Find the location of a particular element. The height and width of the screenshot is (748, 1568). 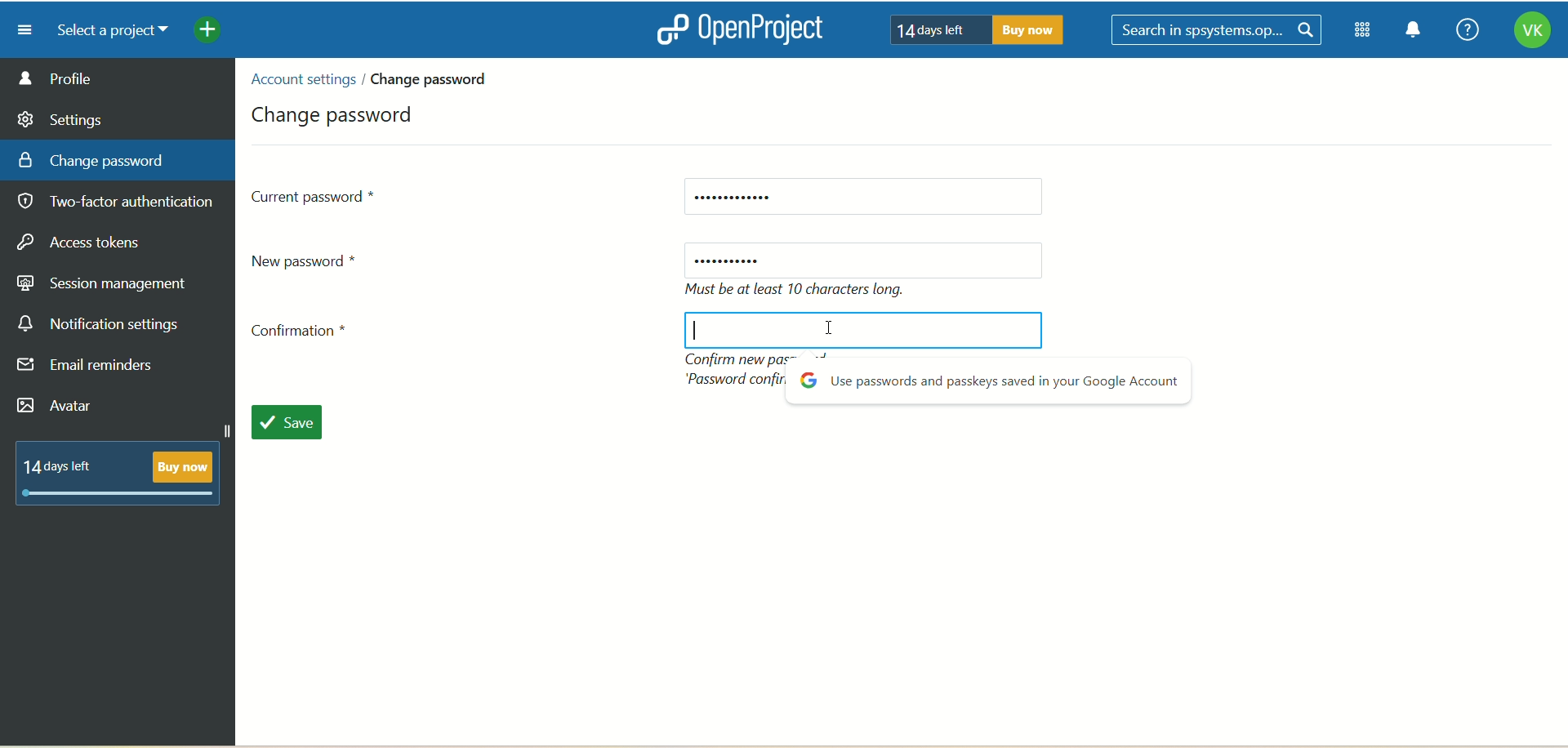

text is located at coordinates (125, 470).